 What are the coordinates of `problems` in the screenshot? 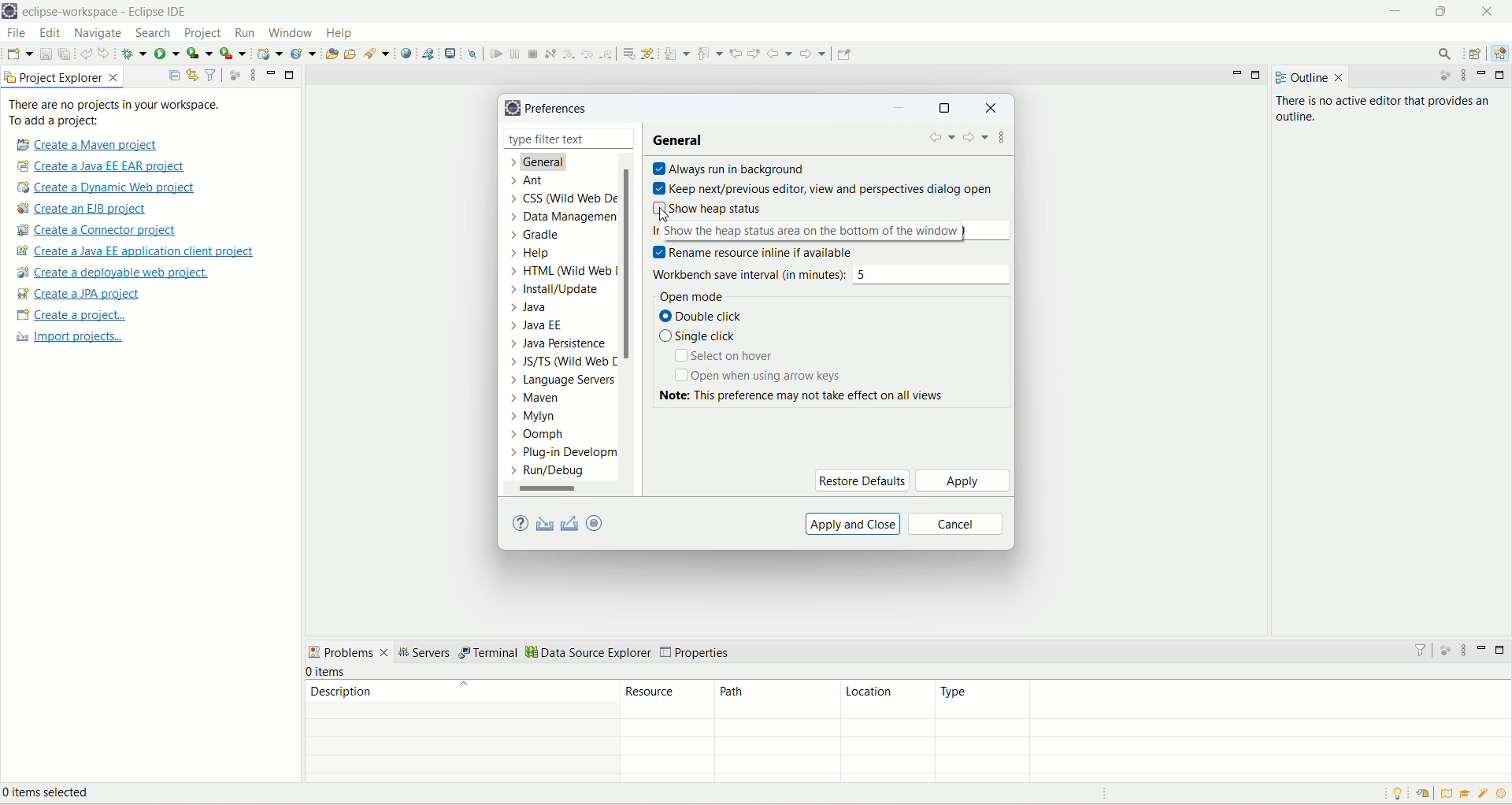 It's located at (349, 651).